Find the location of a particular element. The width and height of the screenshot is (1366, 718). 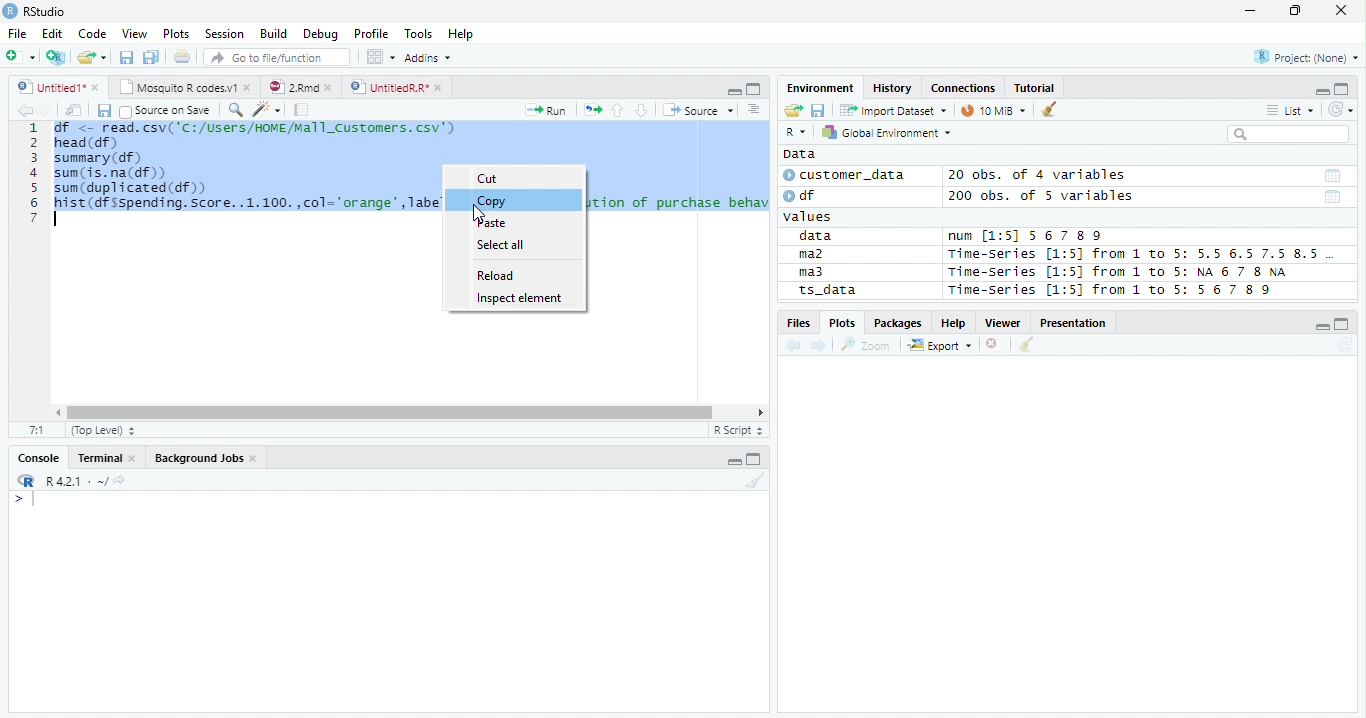

Date is located at coordinates (1331, 176).